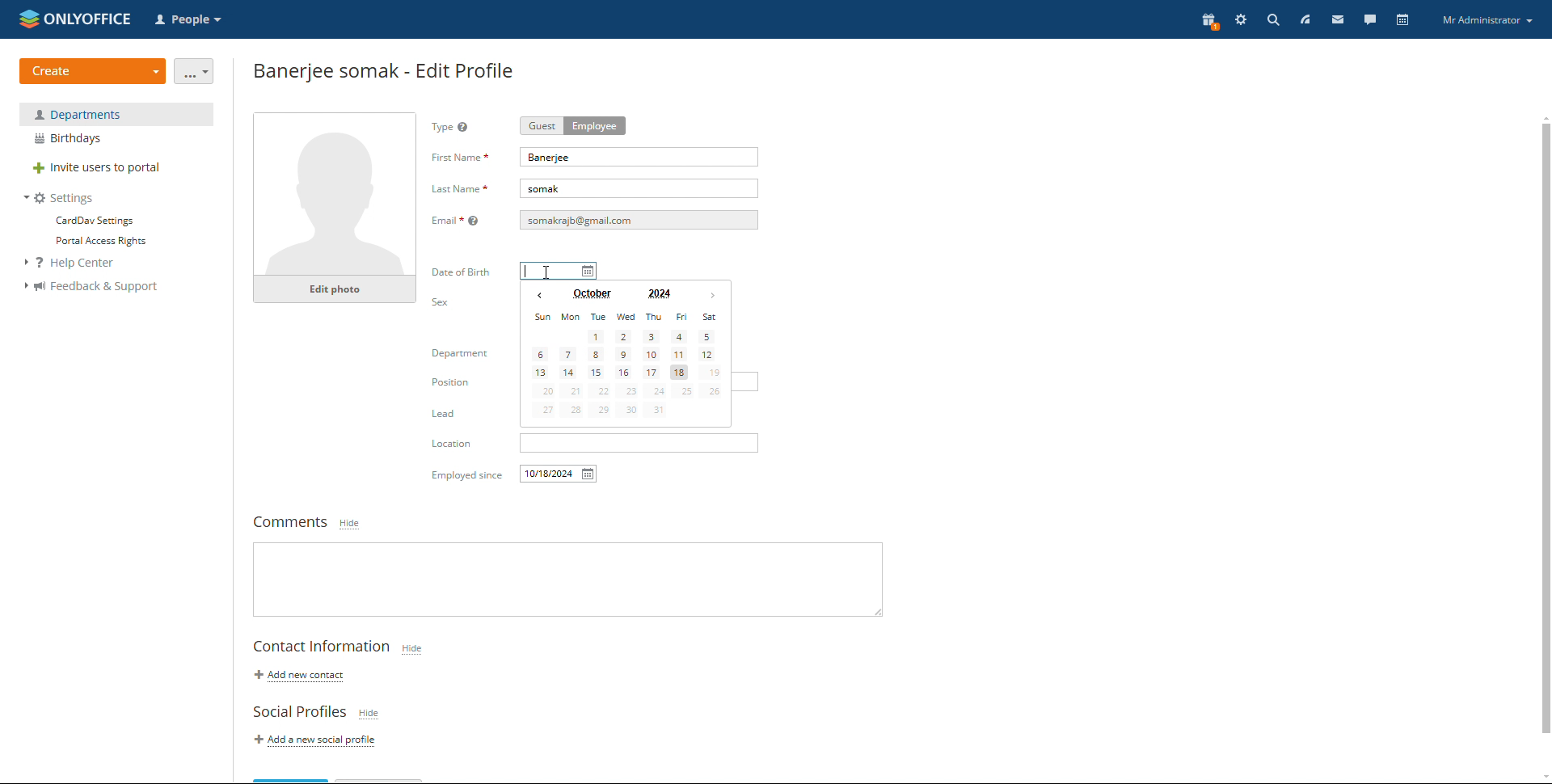  Describe the element at coordinates (191, 20) in the screenshot. I see `select application` at that location.